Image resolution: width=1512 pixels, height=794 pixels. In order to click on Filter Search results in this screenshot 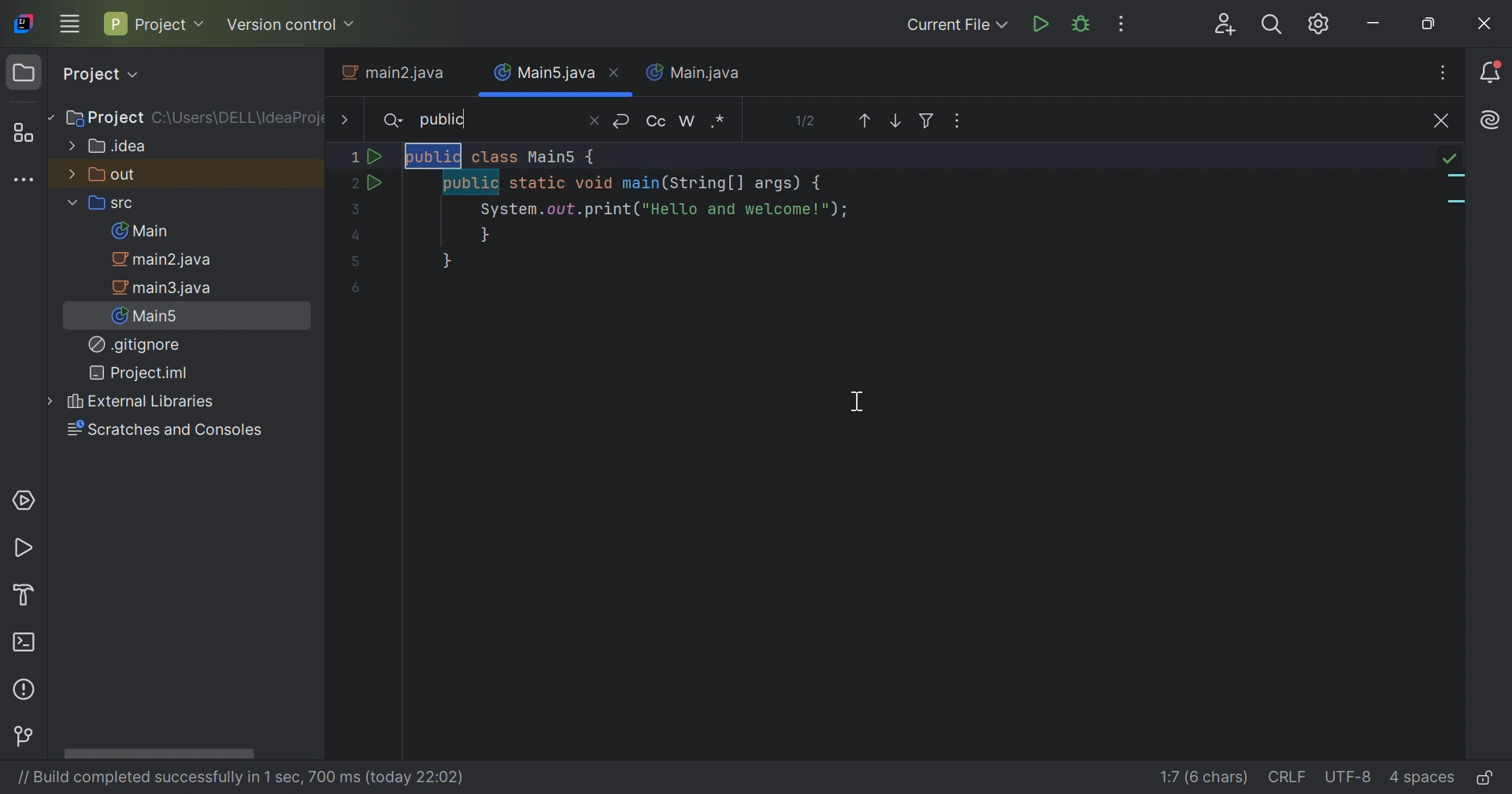, I will do `click(925, 119)`.